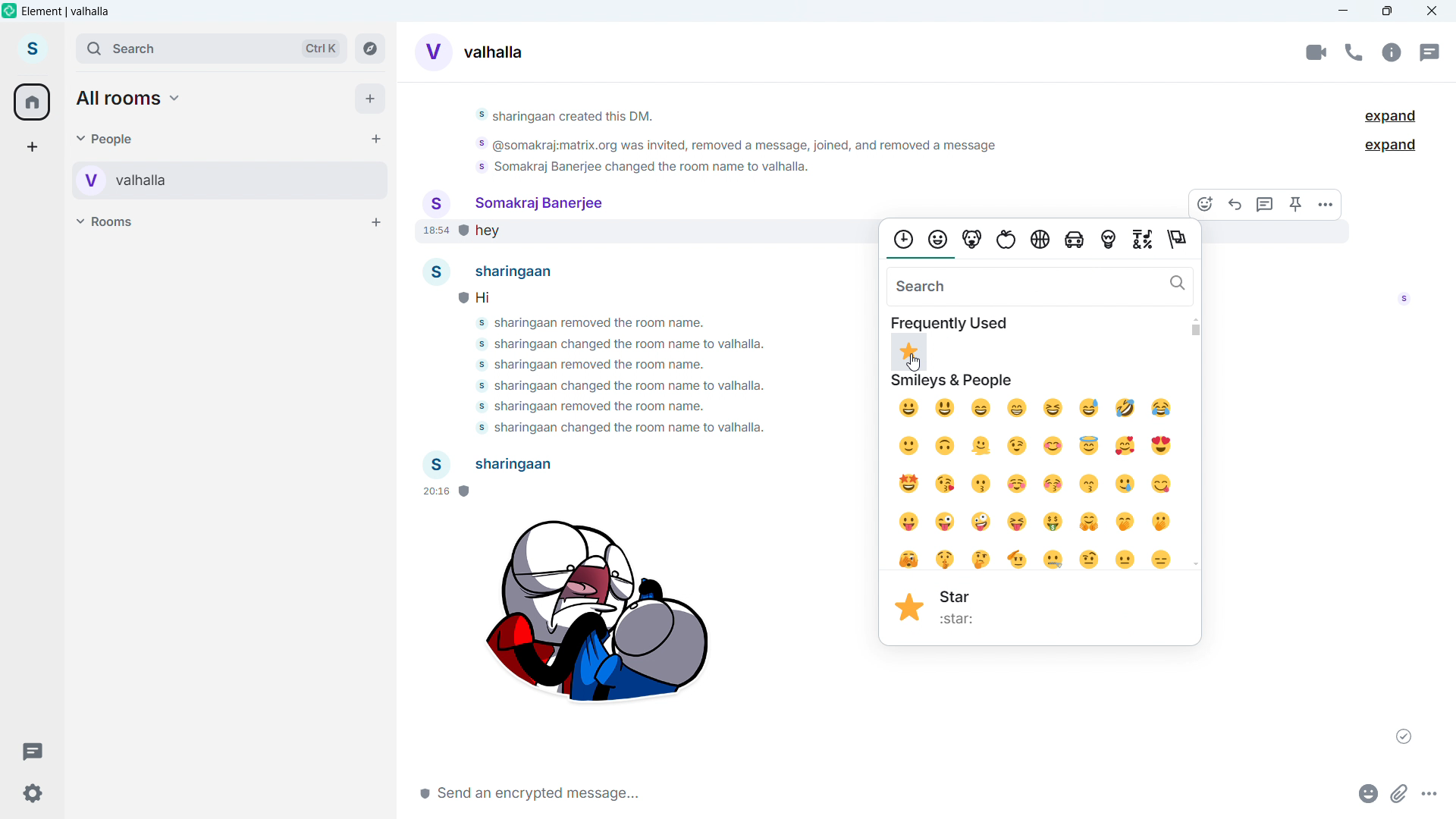 The height and width of the screenshot is (819, 1456). What do you see at coordinates (1125, 409) in the screenshot?
I see `rolling on the floor laughing` at bounding box center [1125, 409].